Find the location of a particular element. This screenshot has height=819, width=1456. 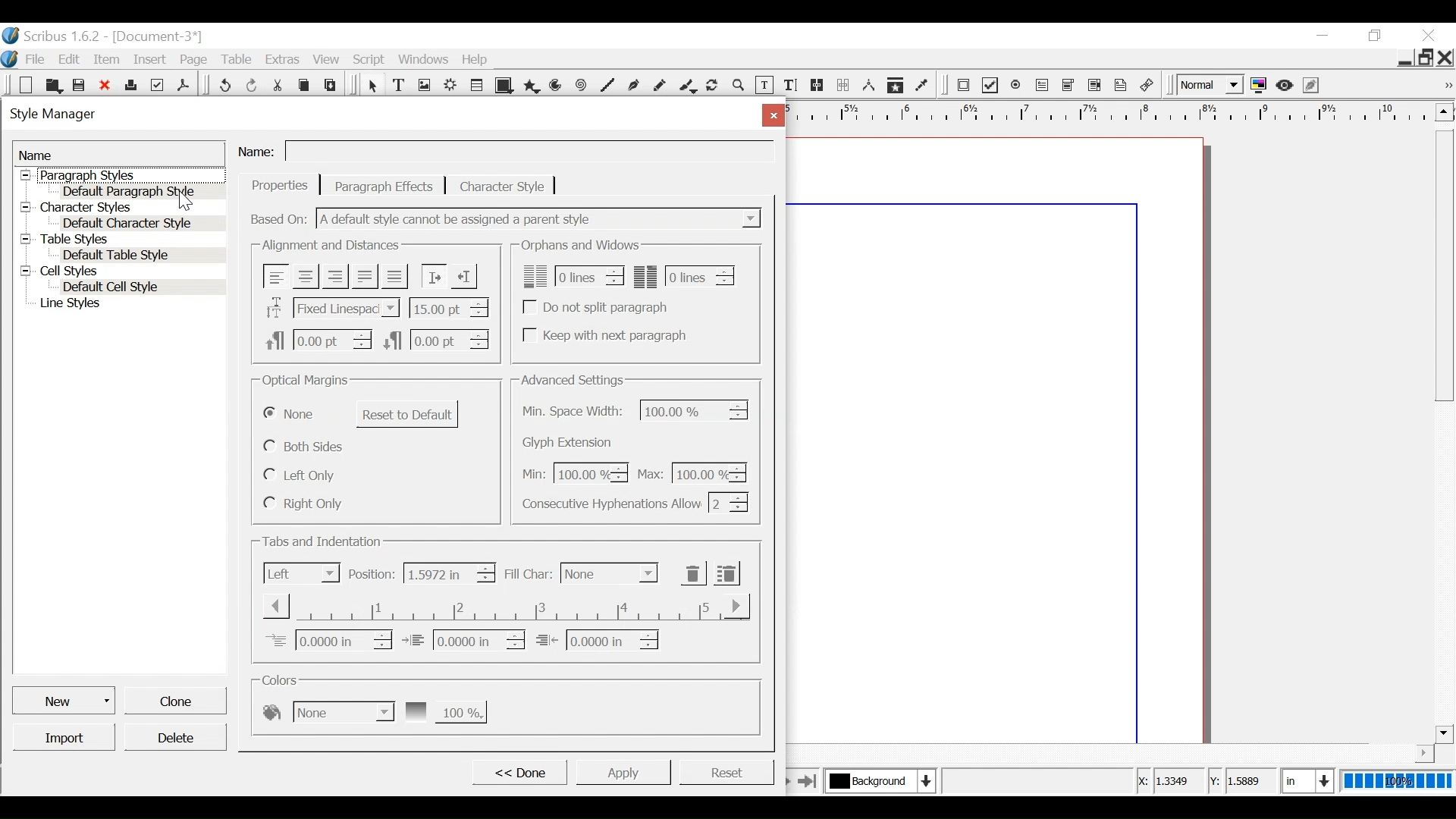

Name is located at coordinates (259, 149).